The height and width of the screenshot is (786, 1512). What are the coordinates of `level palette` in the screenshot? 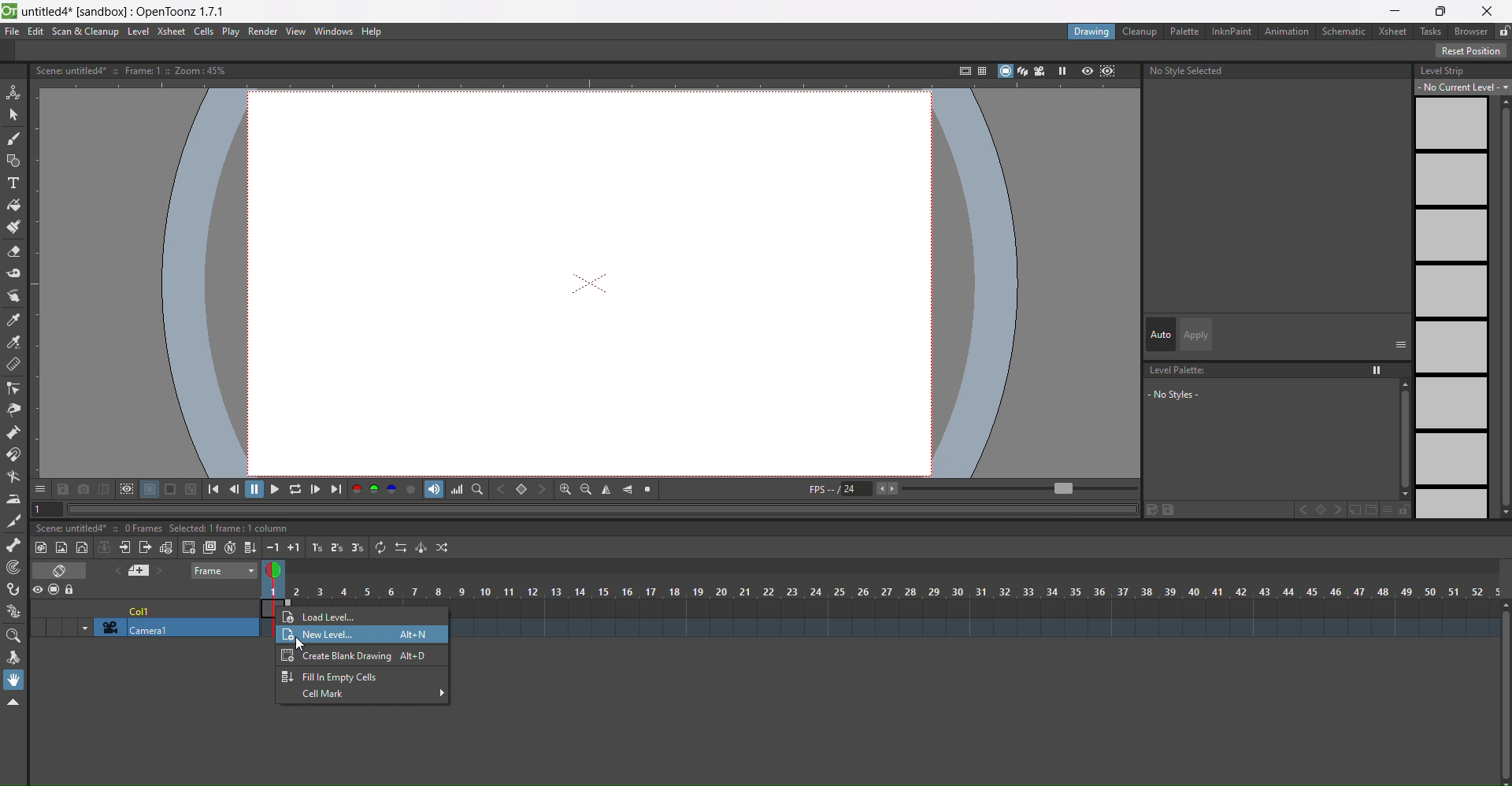 It's located at (1180, 370).